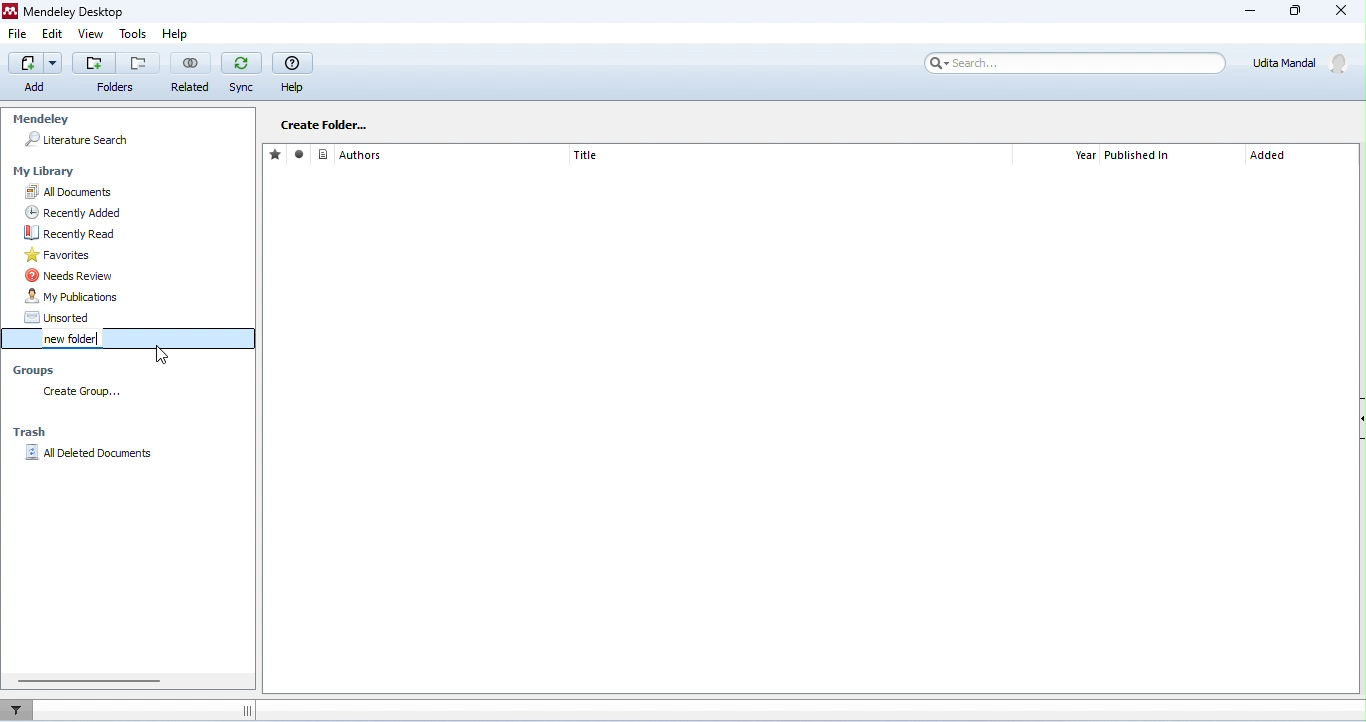 This screenshot has width=1366, height=722. Describe the element at coordinates (89, 680) in the screenshot. I see `horizontal scroll bar` at that location.